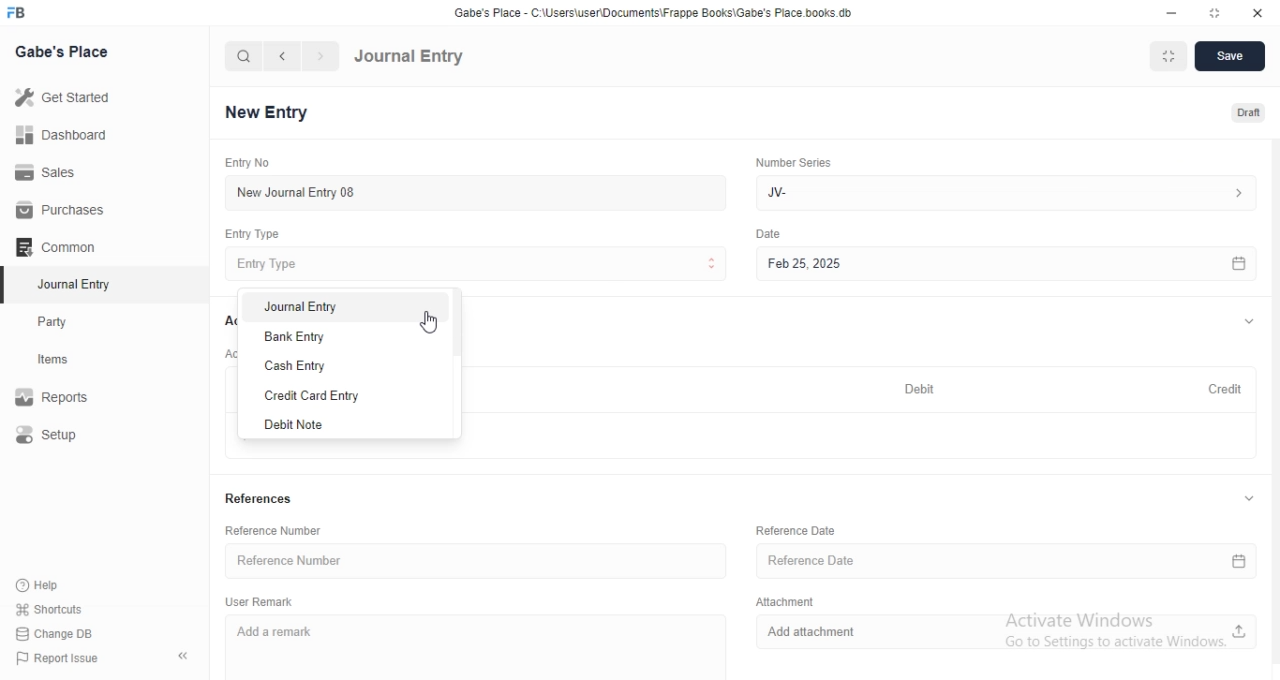 The height and width of the screenshot is (680, 1280). What do you see at coordinates (63, 584) in the screenshot?
I see `Help` at bounding box center [63, 584].